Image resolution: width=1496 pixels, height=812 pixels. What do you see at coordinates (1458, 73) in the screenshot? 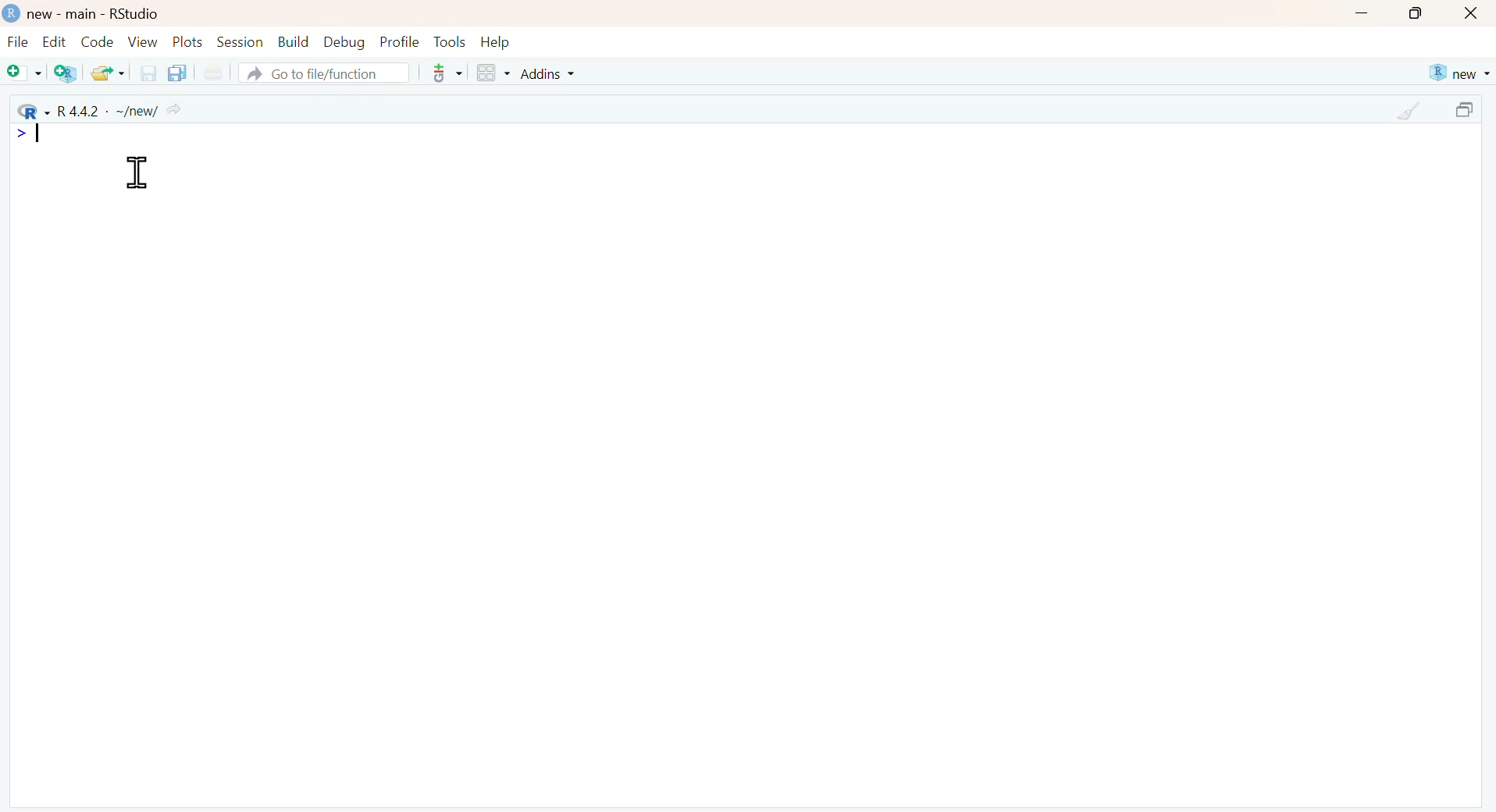
I see `new` at bounding box center [1458, 73].